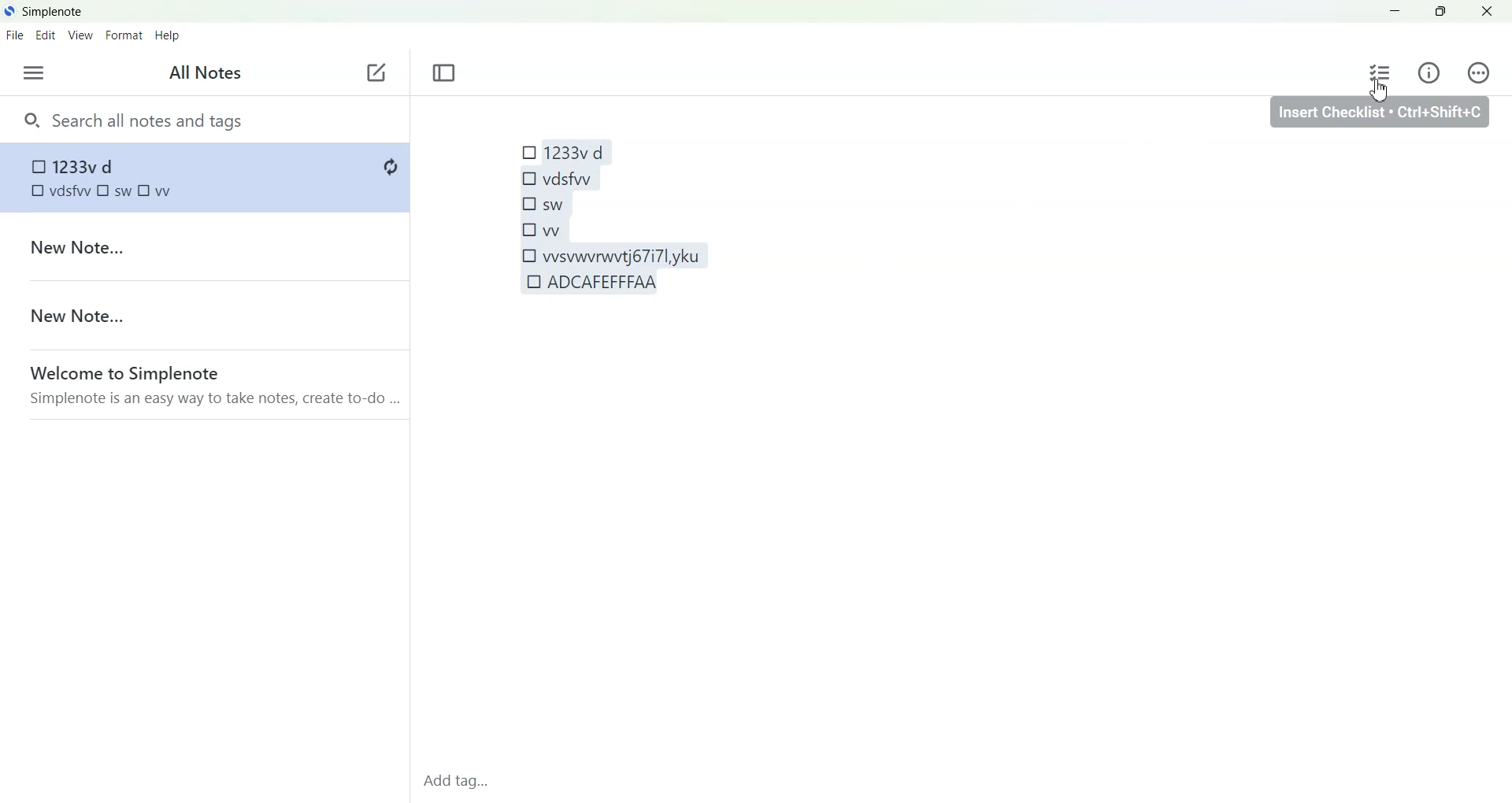 This screenshot has height=803, width=1512. Describe the element at coordinates (46, 35) in the screenshot. I see `Edit` at that location.